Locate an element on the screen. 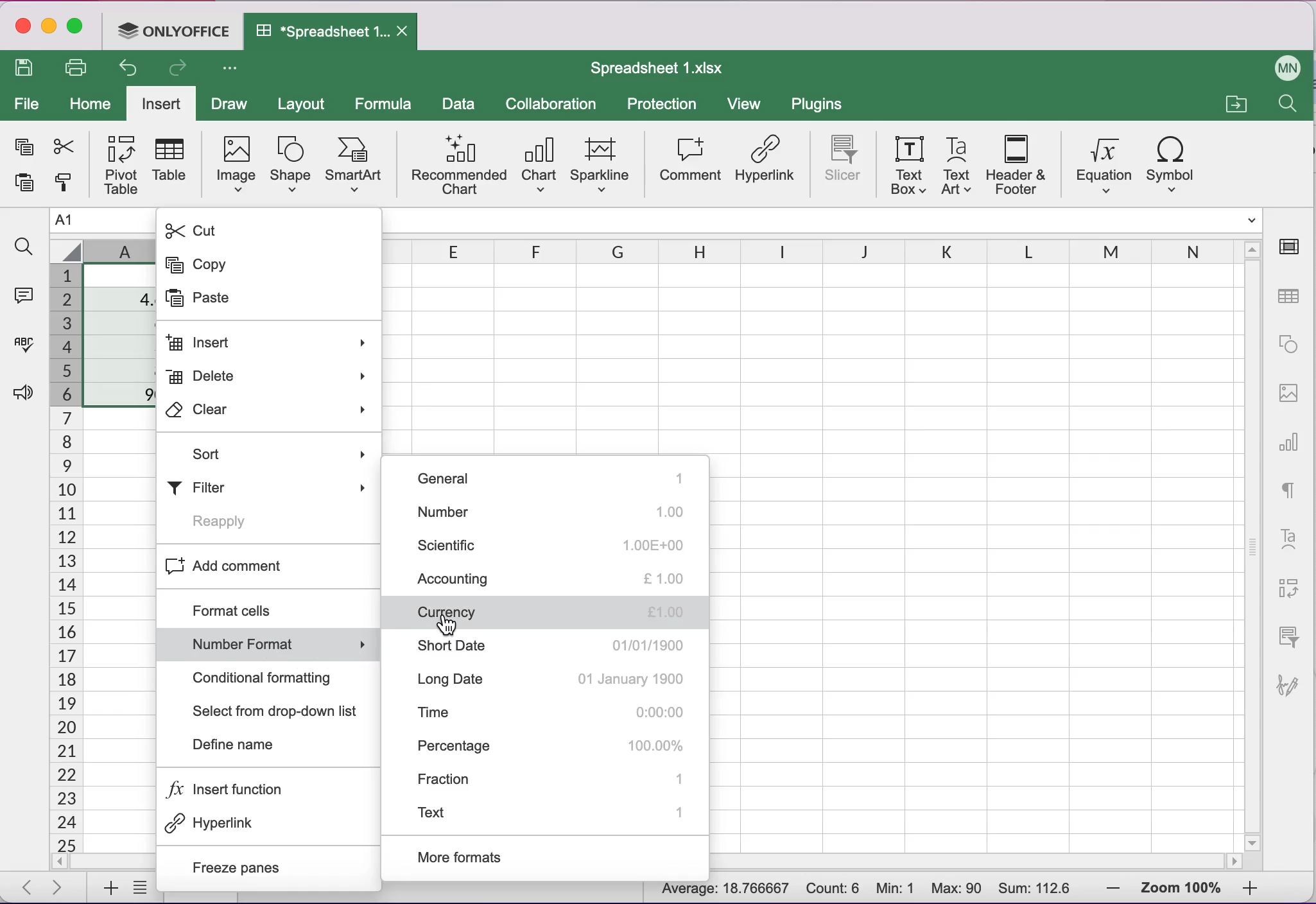  Sort is located at coordinates (267, 453).